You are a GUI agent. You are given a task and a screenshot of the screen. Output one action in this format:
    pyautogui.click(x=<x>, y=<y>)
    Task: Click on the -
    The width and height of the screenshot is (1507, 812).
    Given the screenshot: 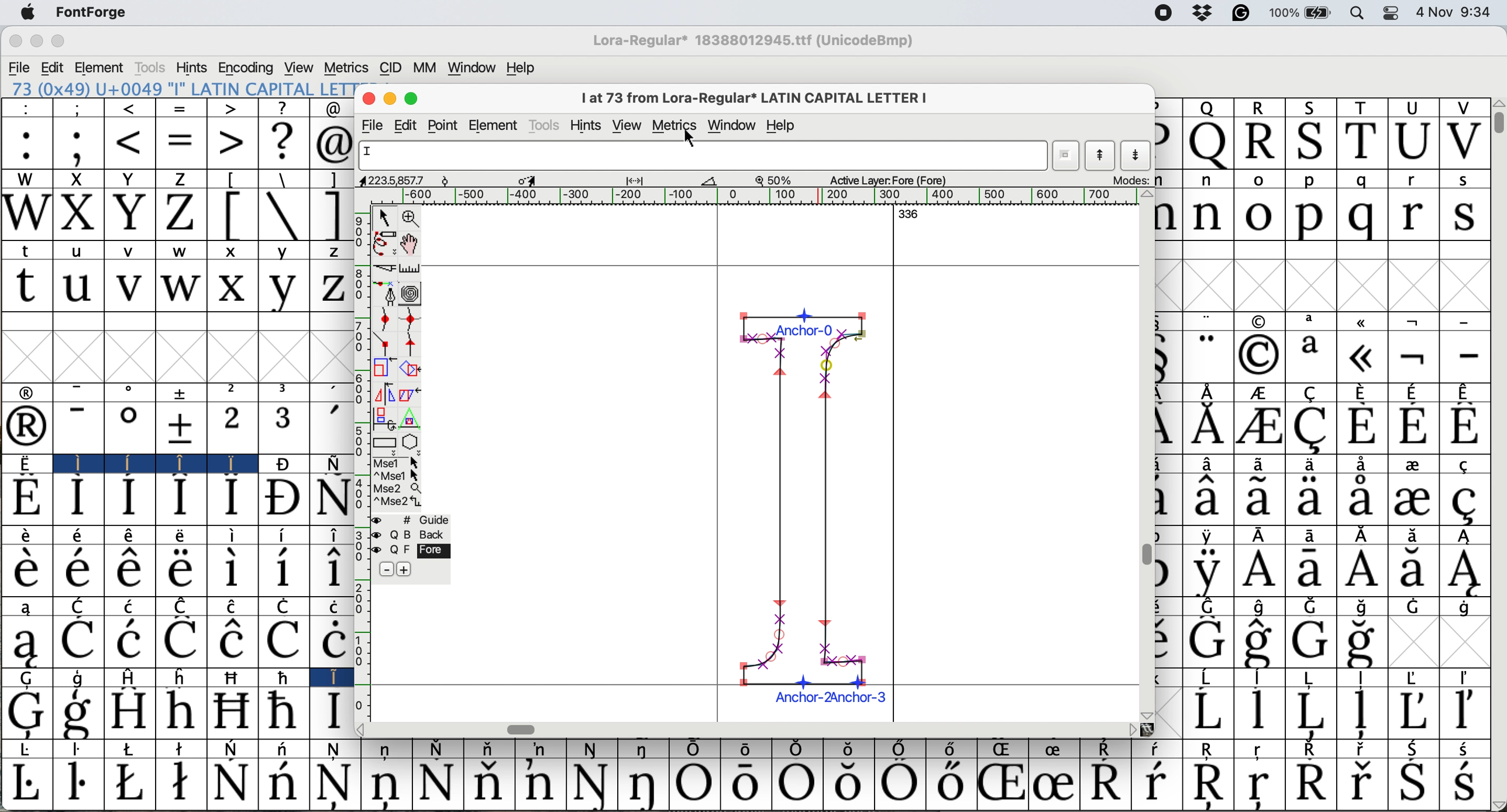 What is the action you would take?
    pyautogui.click(x=78, y=428)
    